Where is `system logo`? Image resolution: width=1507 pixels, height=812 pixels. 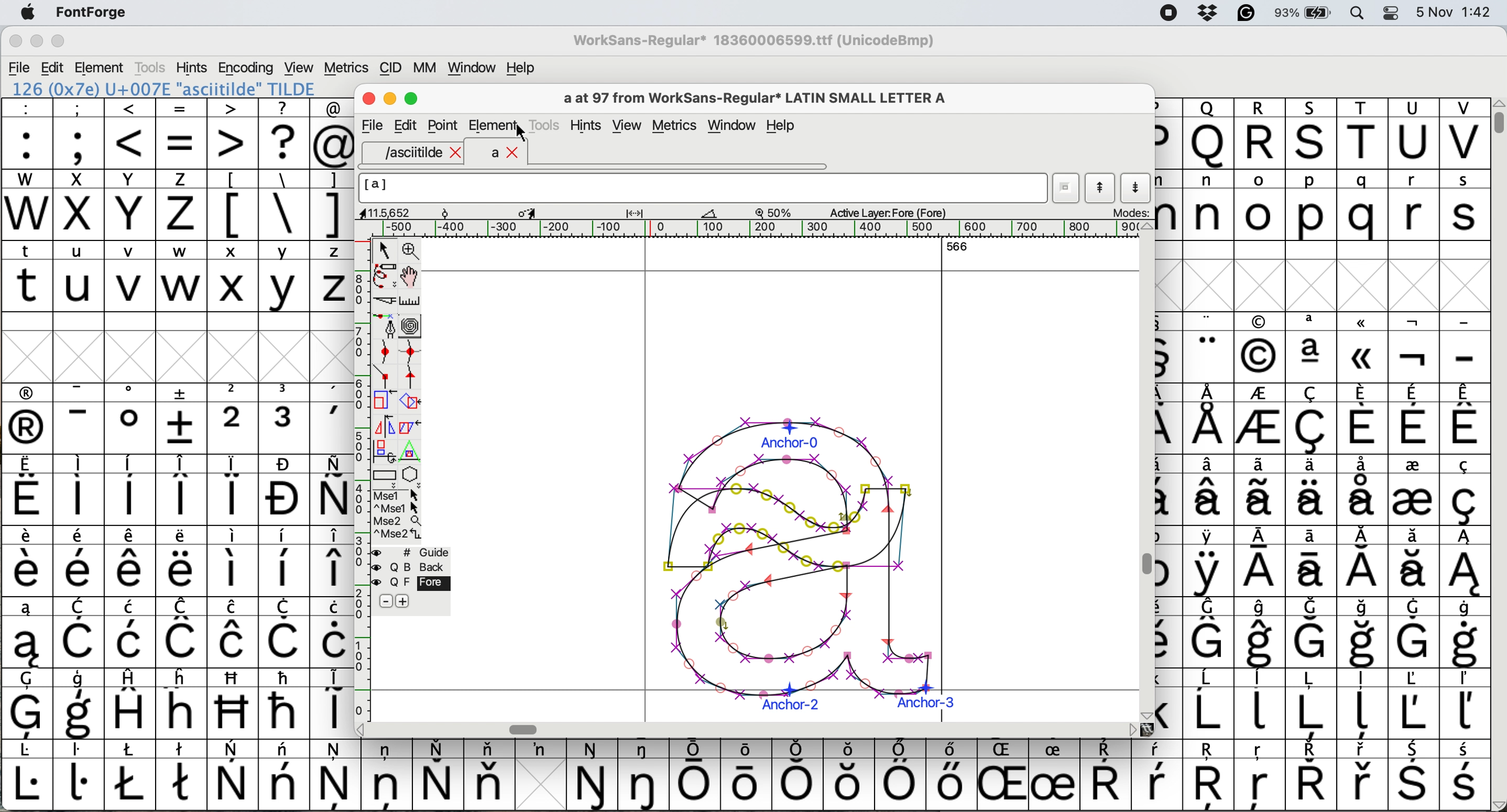
system logo is located at coordinates (27, 13).